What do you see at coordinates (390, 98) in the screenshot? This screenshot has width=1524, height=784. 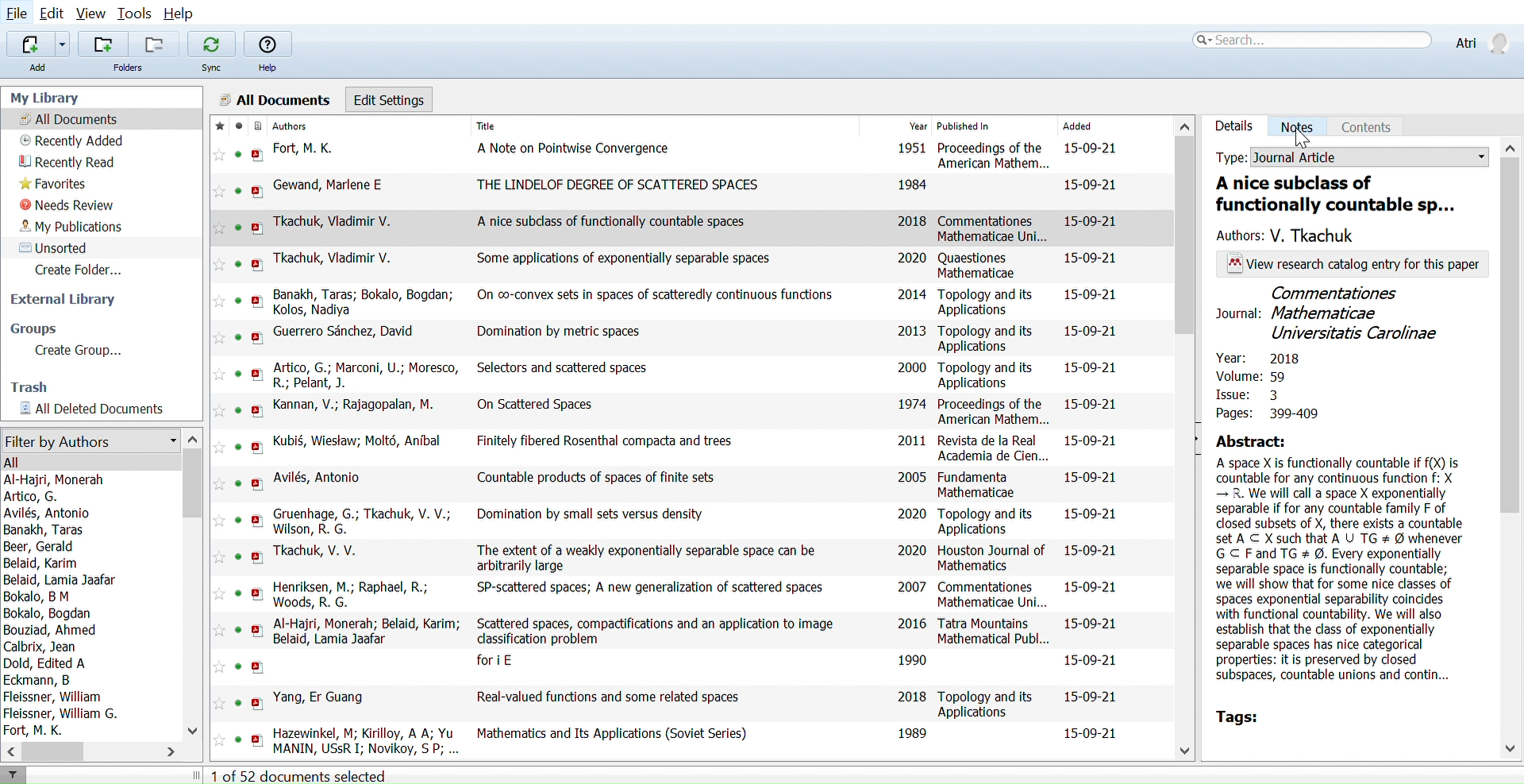 I see `Edit settings` at bounding box center [390, 98].